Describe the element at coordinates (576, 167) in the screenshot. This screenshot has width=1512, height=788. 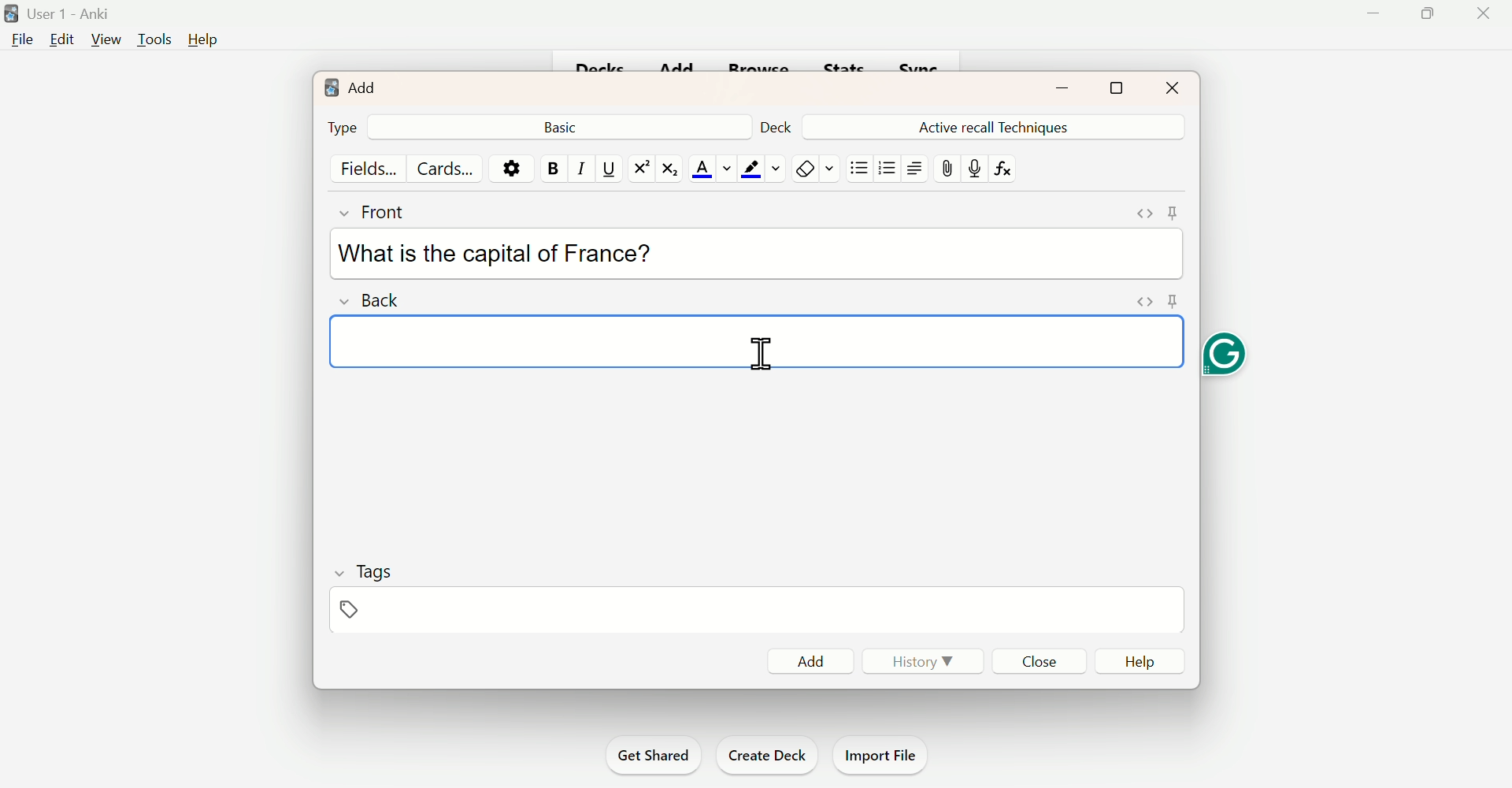
I see `Italiac` at that location.